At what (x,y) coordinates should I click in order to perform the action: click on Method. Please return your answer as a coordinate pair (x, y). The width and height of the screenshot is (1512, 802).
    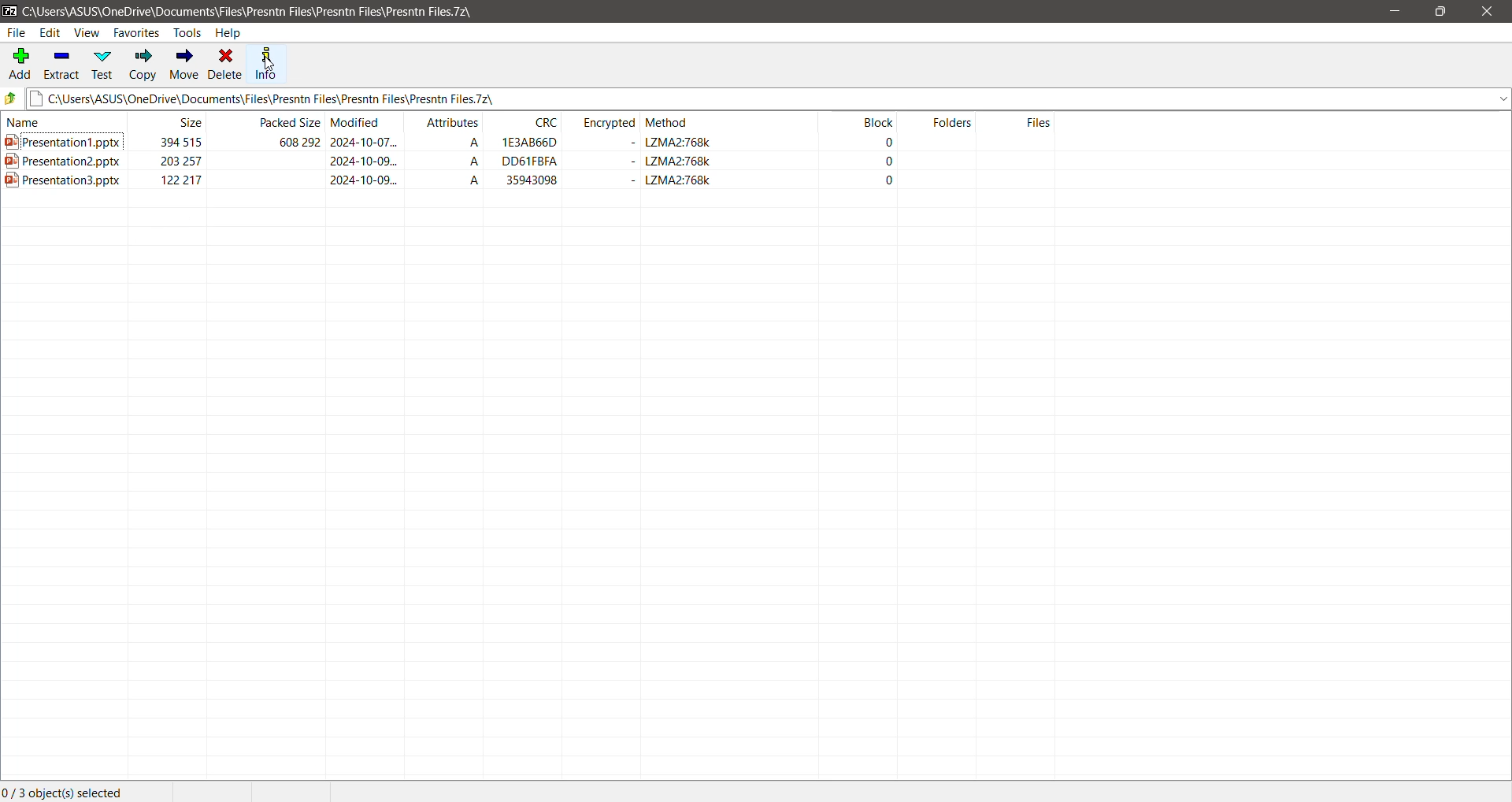
    Looking at the image, I should click on (670, 125).